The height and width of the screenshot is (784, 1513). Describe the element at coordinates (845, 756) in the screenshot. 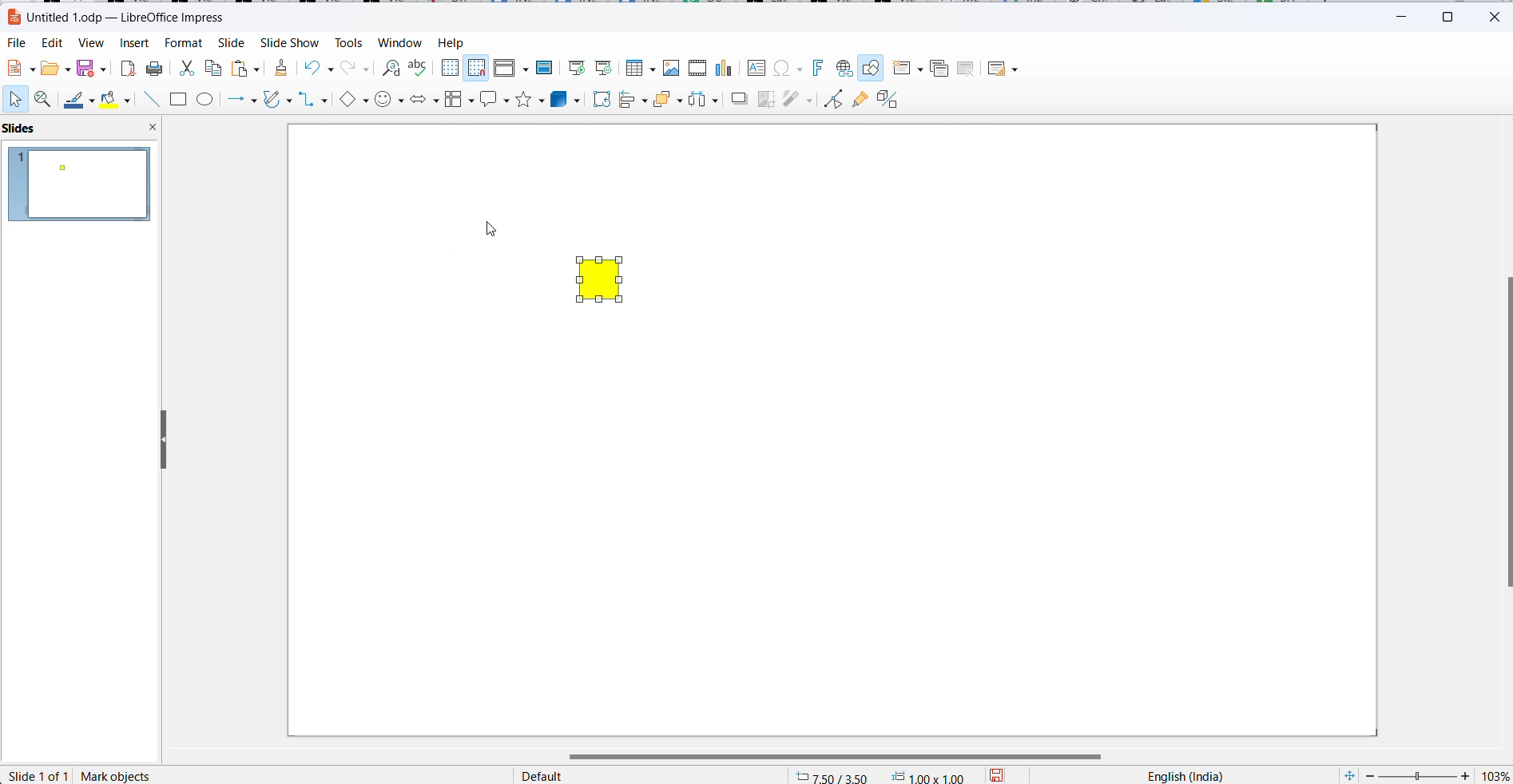

I see `scroll bar ` at that location.